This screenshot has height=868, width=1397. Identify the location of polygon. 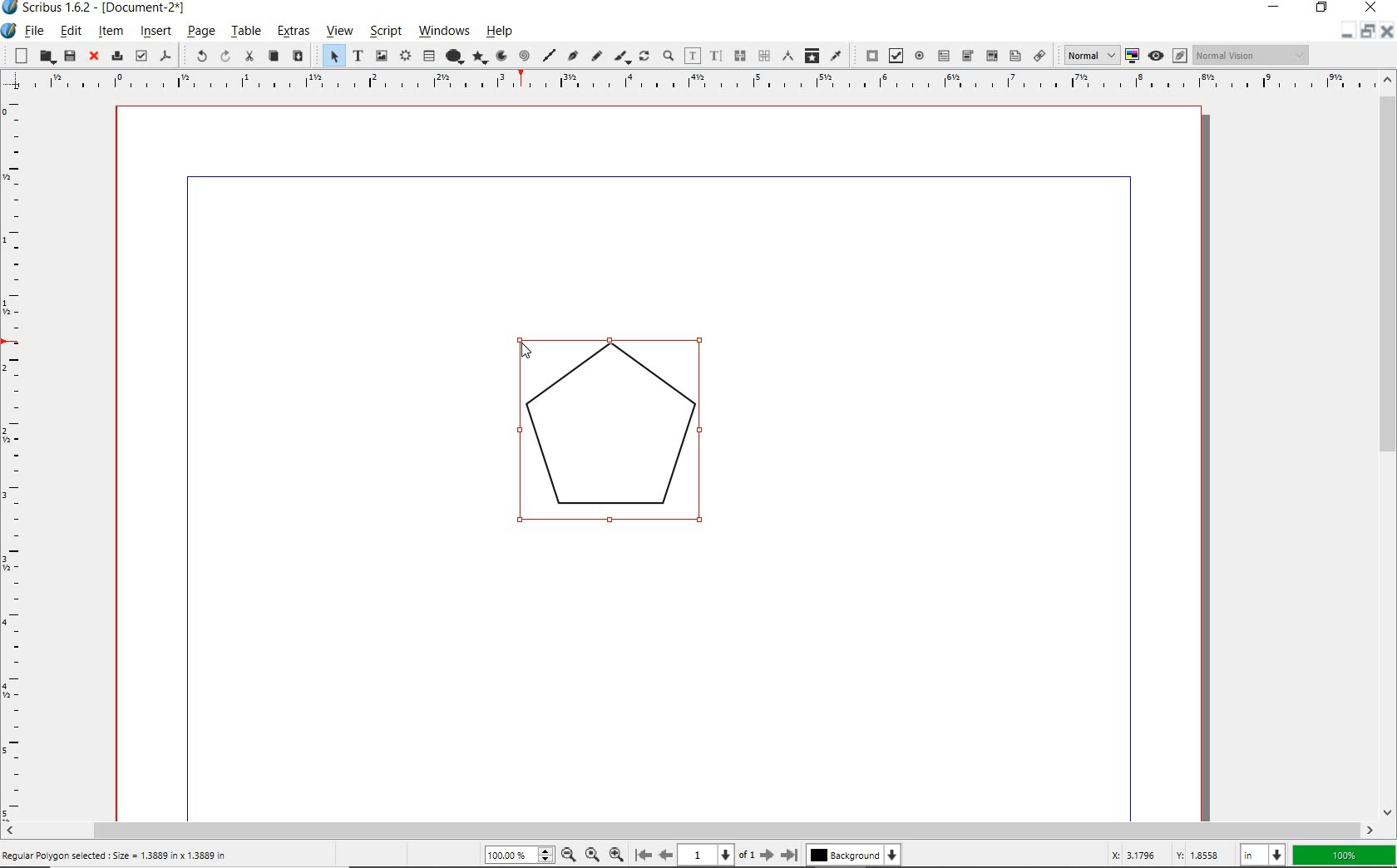
(481, 57).